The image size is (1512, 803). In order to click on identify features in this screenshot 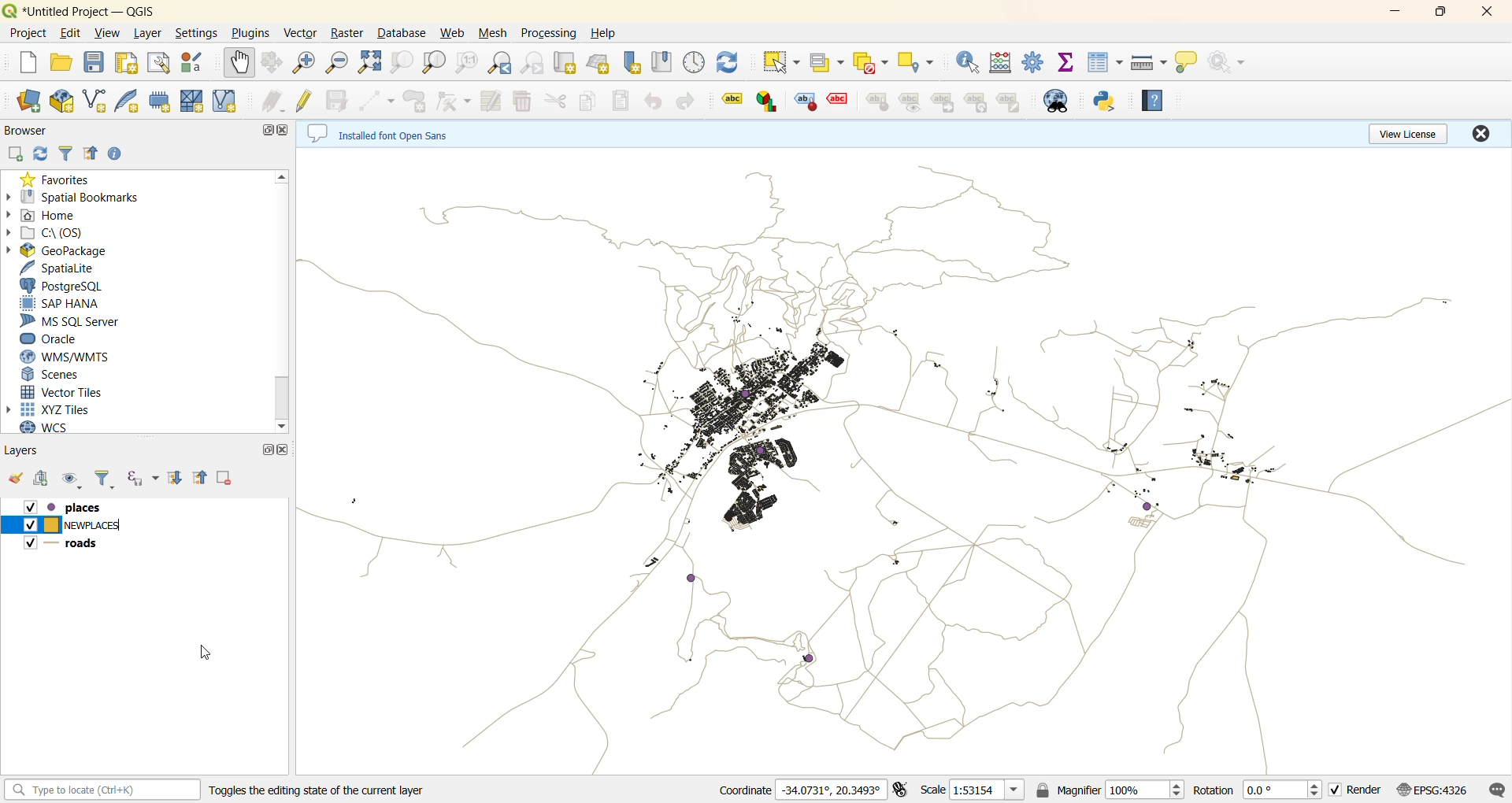, I will do `click(969, 63)`.